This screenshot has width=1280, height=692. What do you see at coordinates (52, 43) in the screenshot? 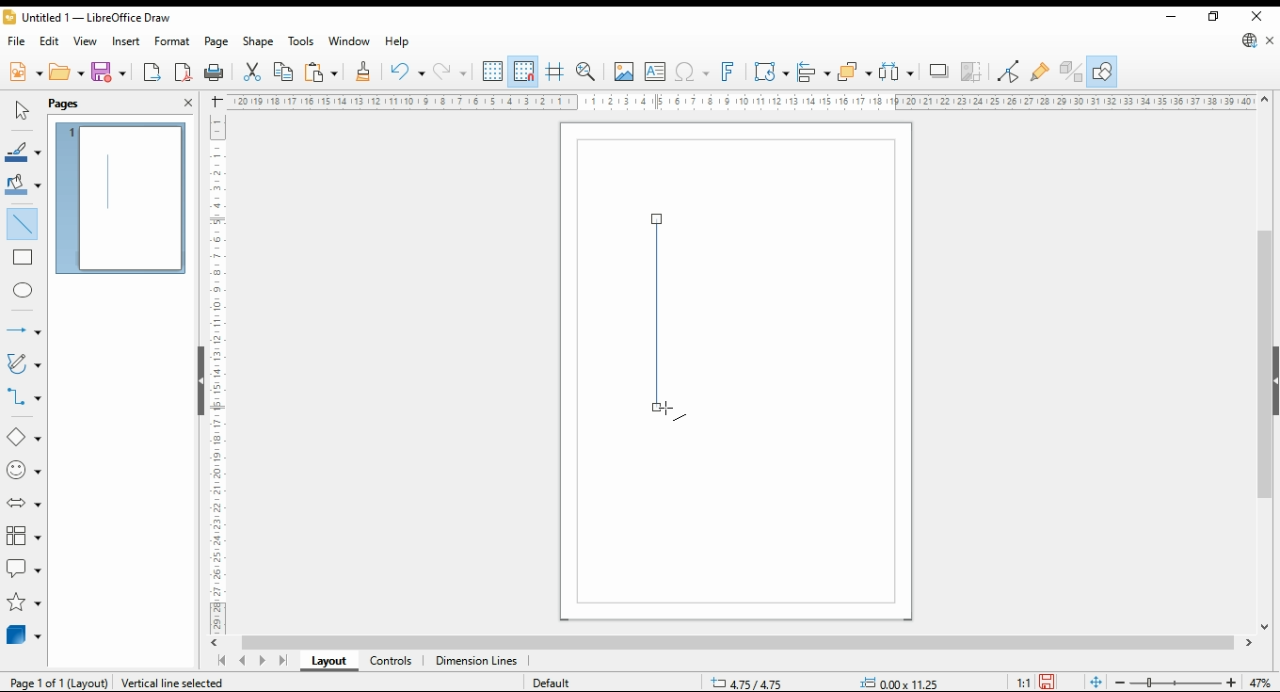
I see `edit` at bounding box center [52, 43].